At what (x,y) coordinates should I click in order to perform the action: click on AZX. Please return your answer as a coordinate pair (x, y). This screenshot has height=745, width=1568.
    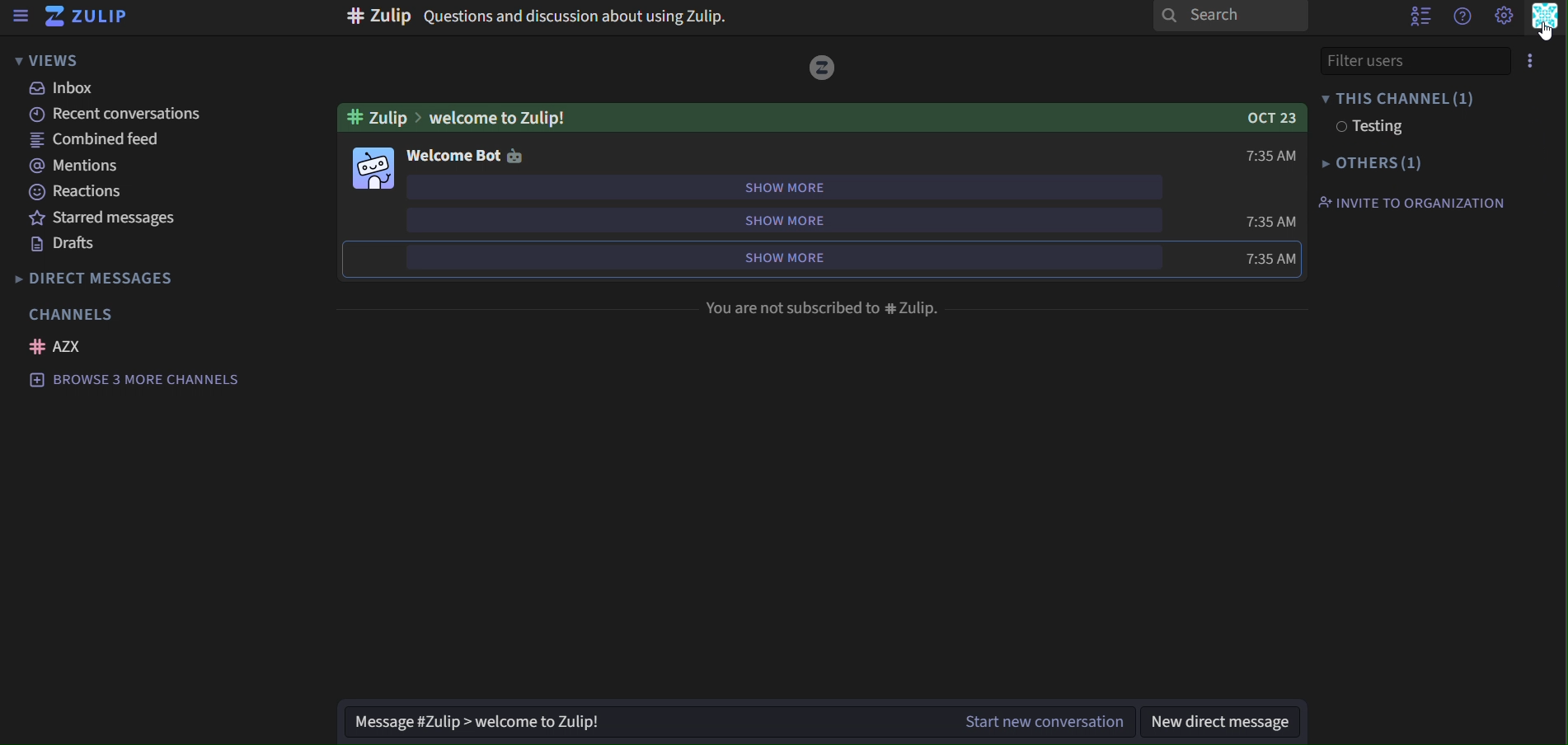
    Looking at the image, I should click on (55, 345).